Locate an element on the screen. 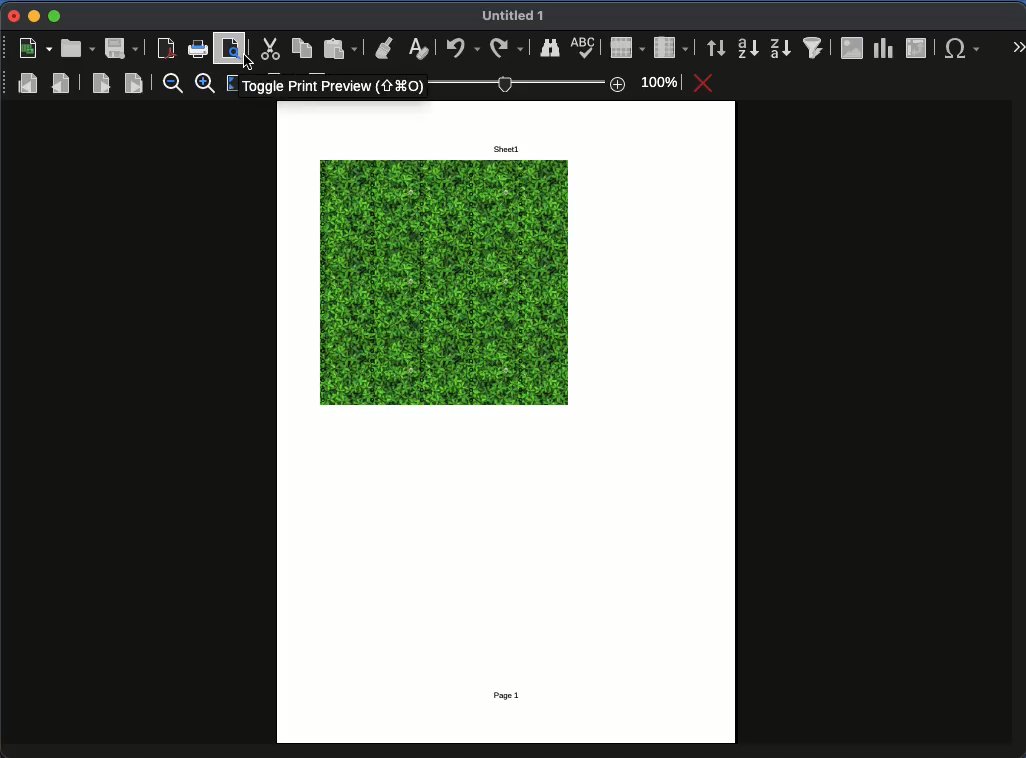 The height and width of the screenshot is (758, 1026). new is located at coordinates (34, 49).